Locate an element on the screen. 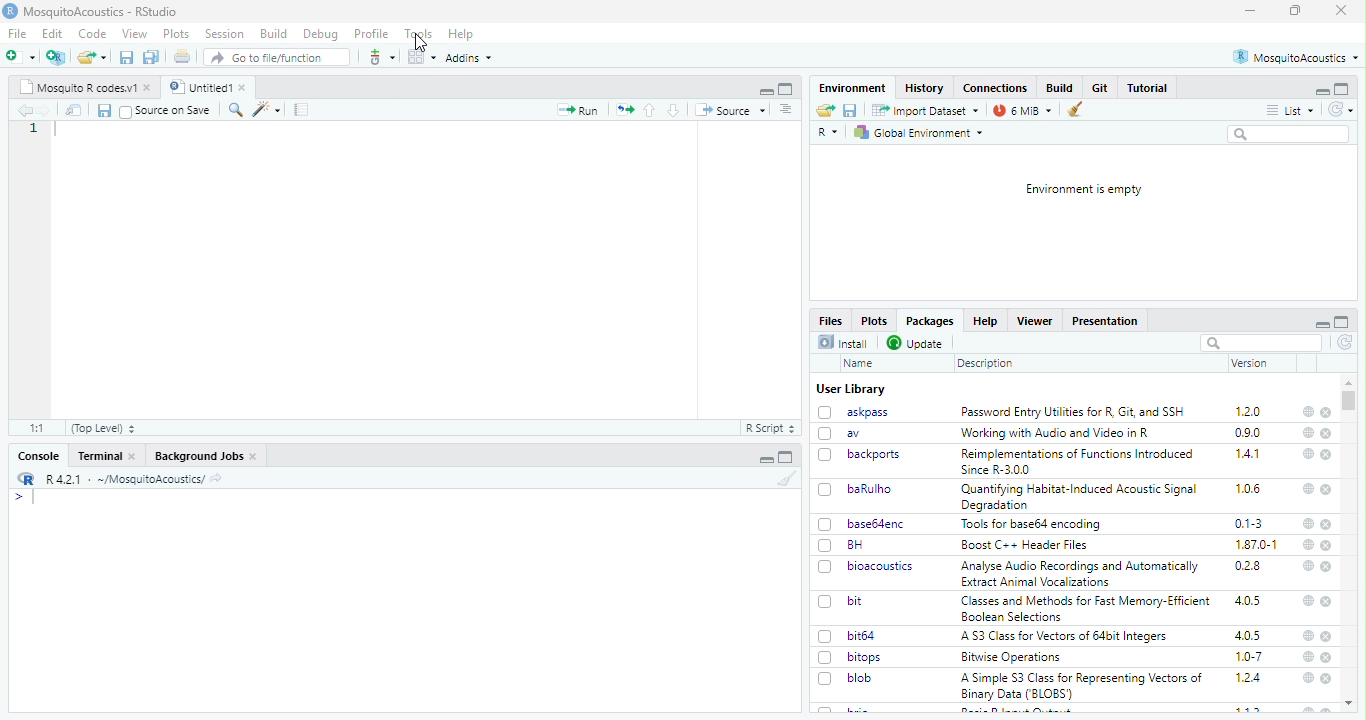 This screenshot has height=720, width=1366. find is located at coordinates (237, 110).